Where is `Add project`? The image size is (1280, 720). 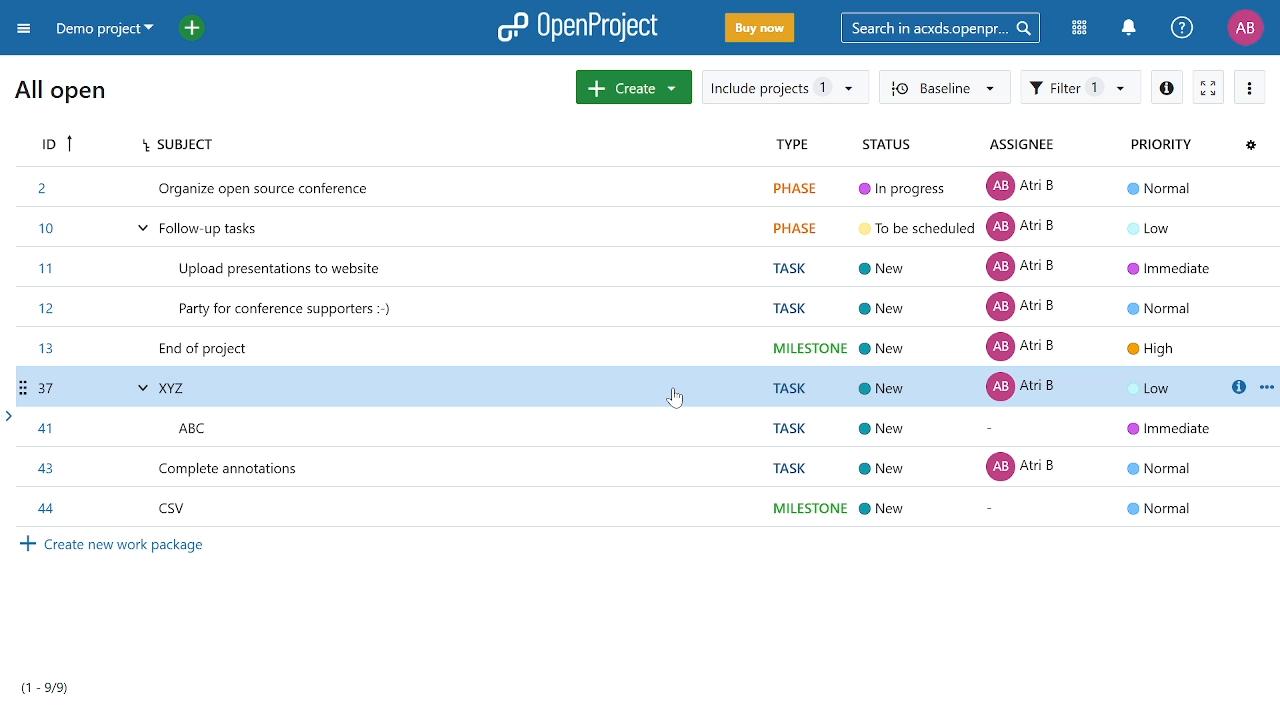
Add project is located at coordinates (196, 28).